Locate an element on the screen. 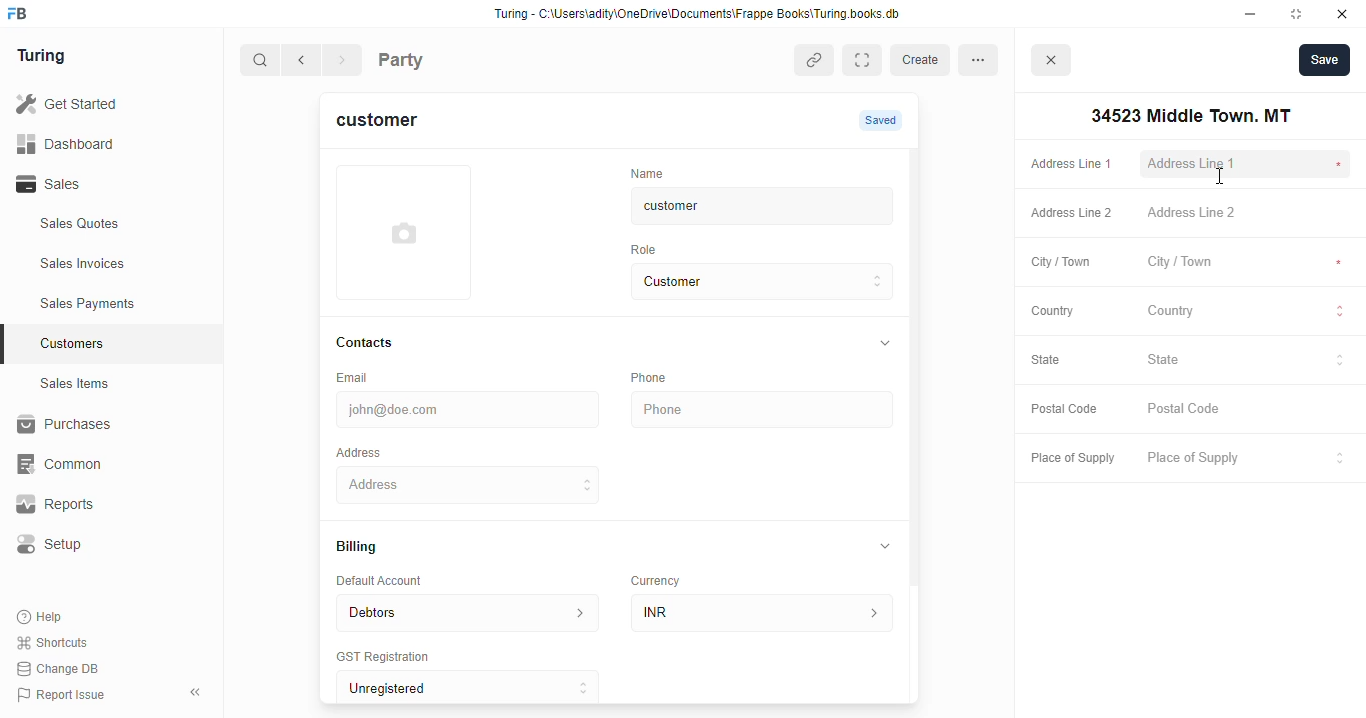 This screenshot has height=718, width=1366. more options is located at coordinates (984, 59).